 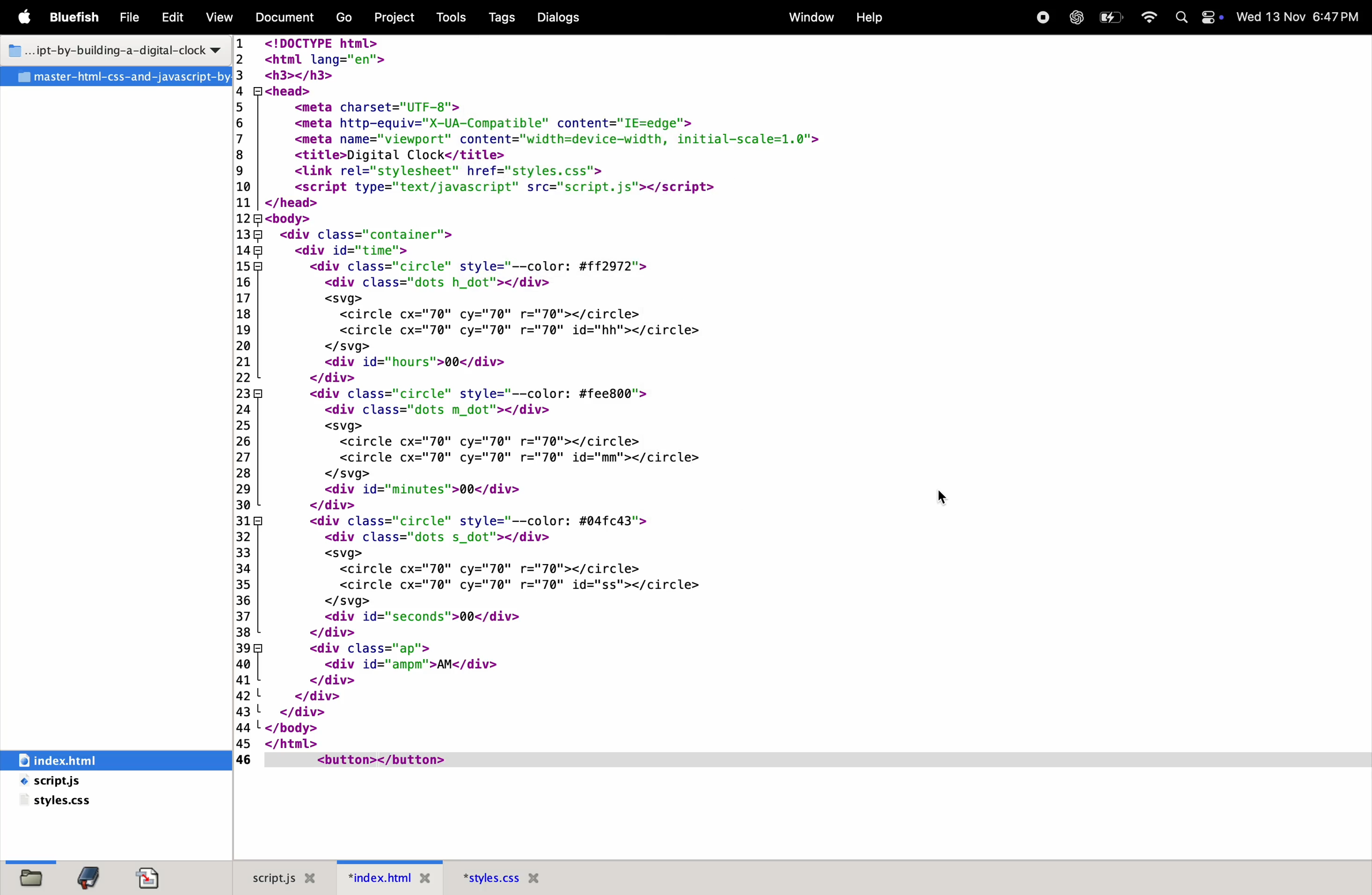 I want to click on Battery, so click(x=1113, y=16).